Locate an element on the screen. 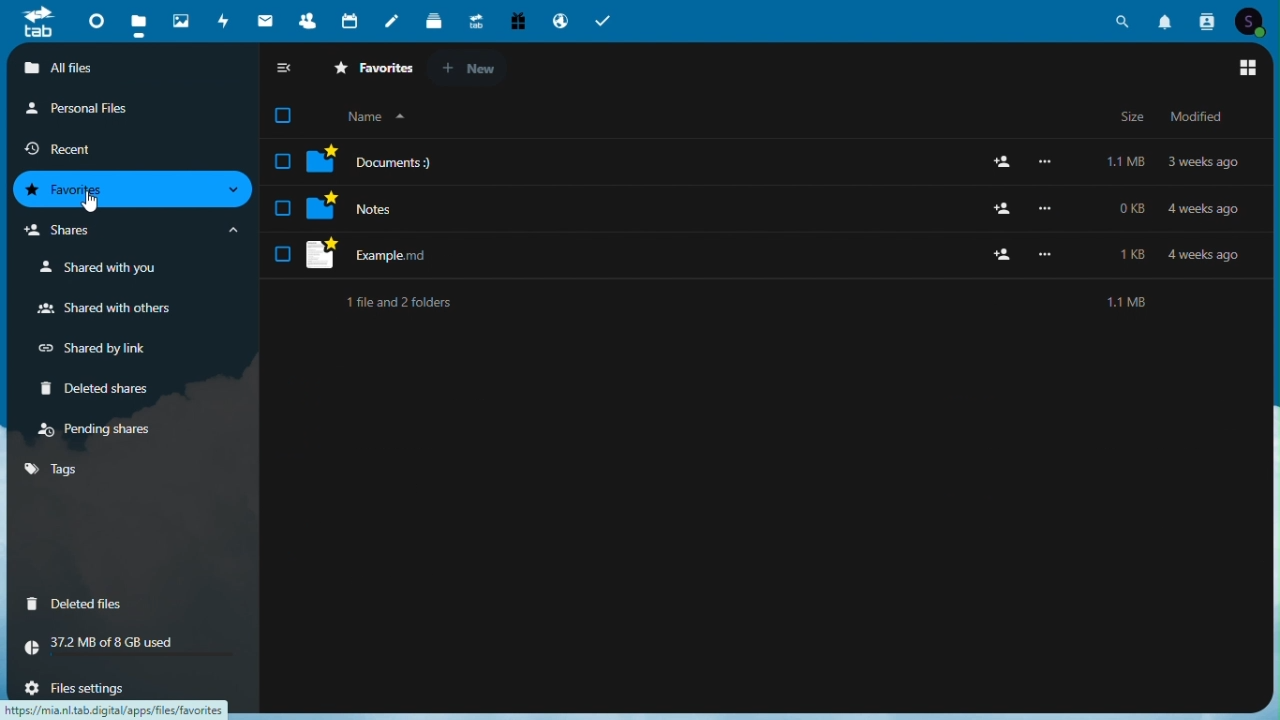 This screenshot has height=720, width=1280. Pending shares is located at coordinates (96, 429).